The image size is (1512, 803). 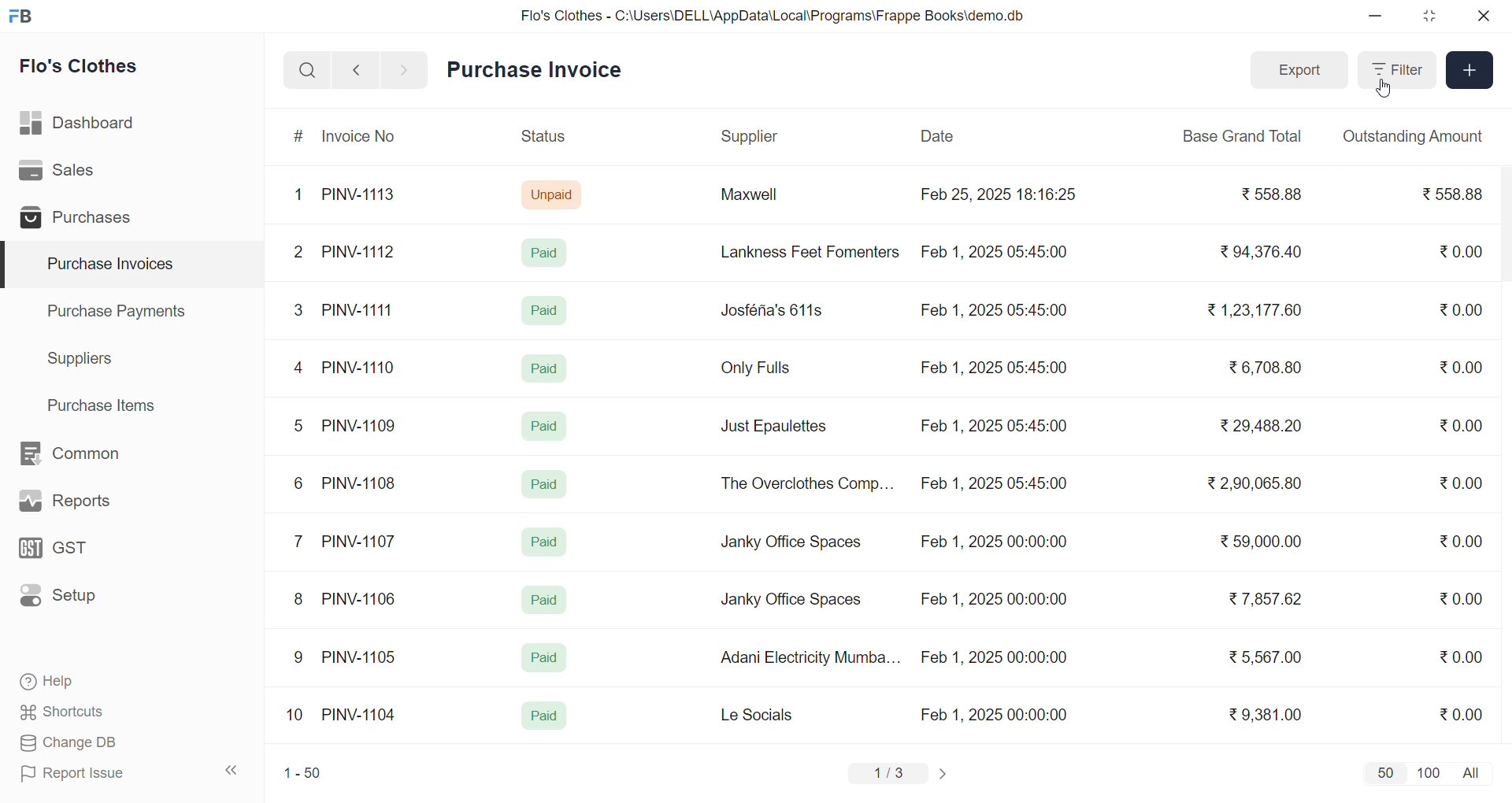 I want to click on Invoice No, so click(x=365, y=137).